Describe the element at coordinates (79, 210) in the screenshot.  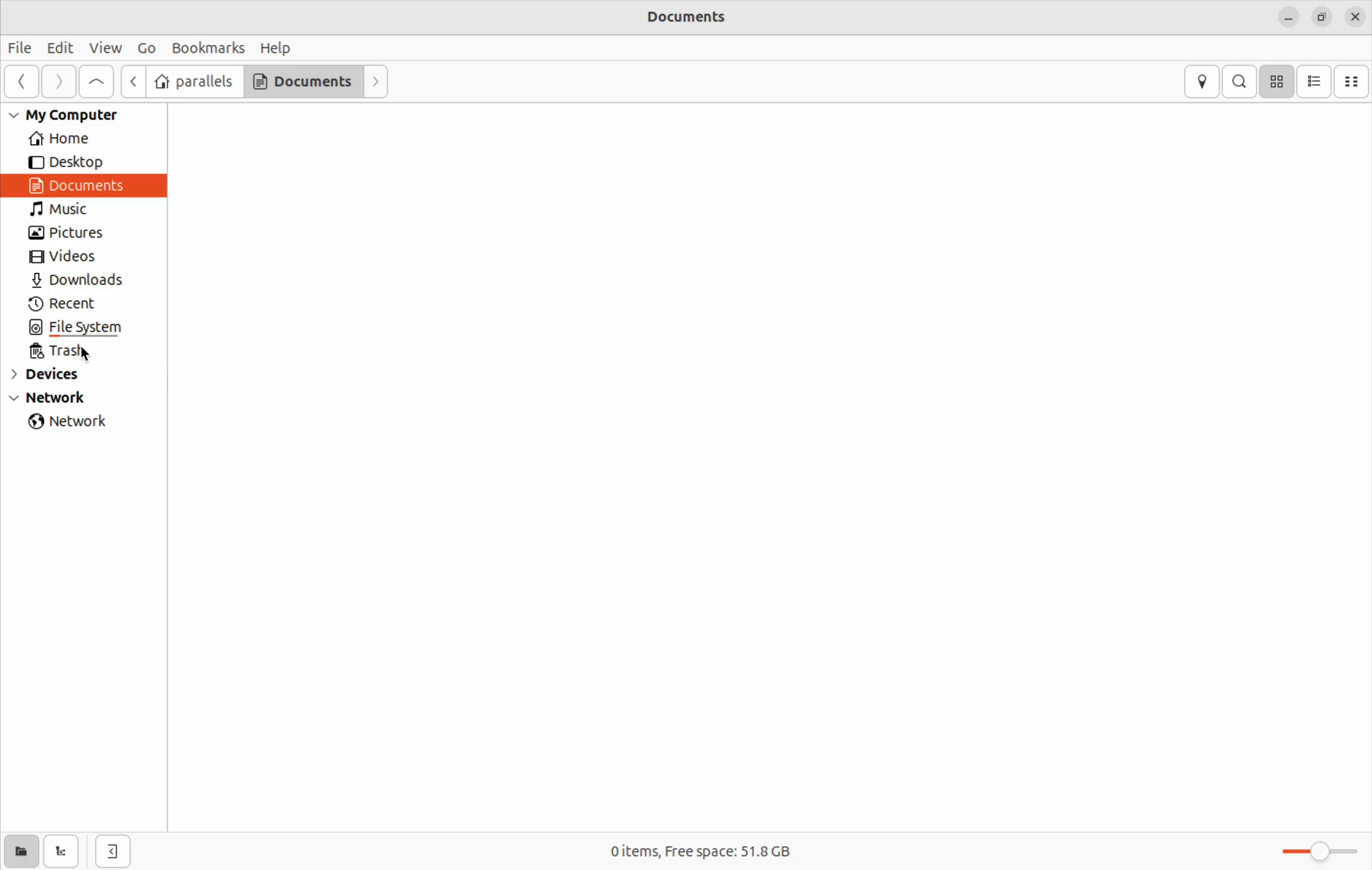
I see `Music` at that location.